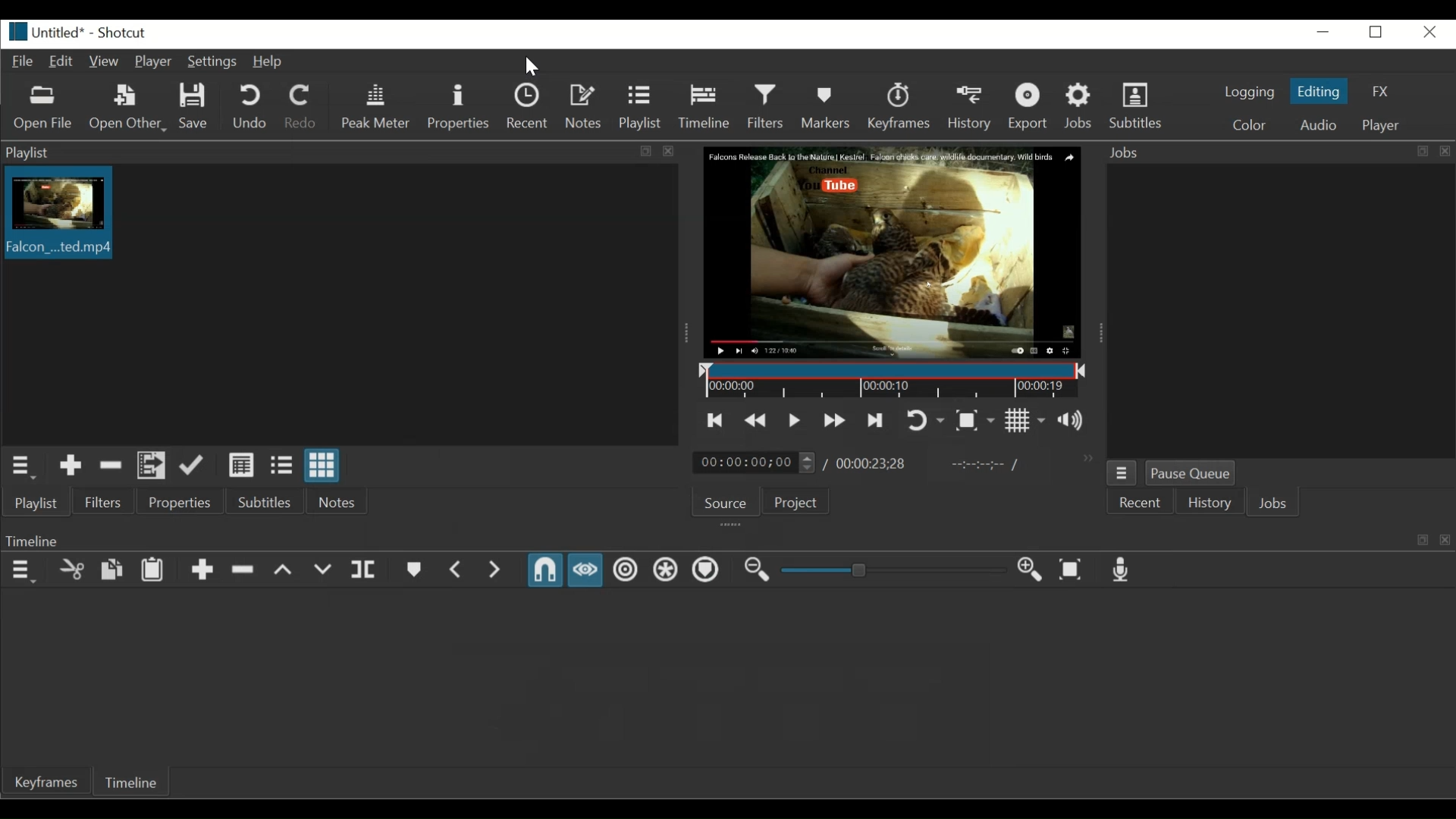 The width and height of the screenshot is (1456, 819). What do you see at coordinates (542, 570) in the screenshot?
I see `Snap (Enabled)` at bounding box center [542, 570].